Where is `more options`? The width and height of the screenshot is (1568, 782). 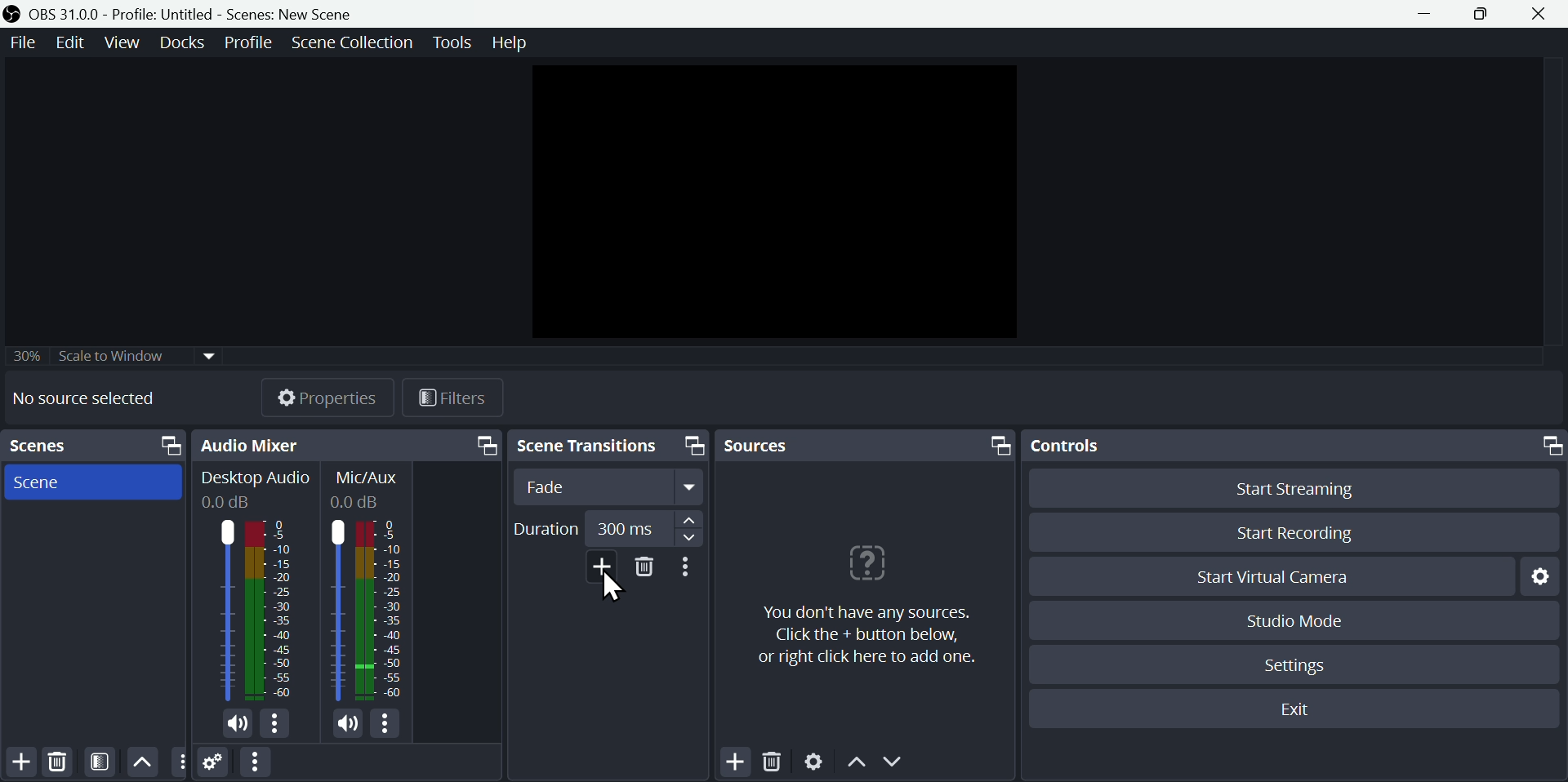 more options is located at coordinates (278, 725).